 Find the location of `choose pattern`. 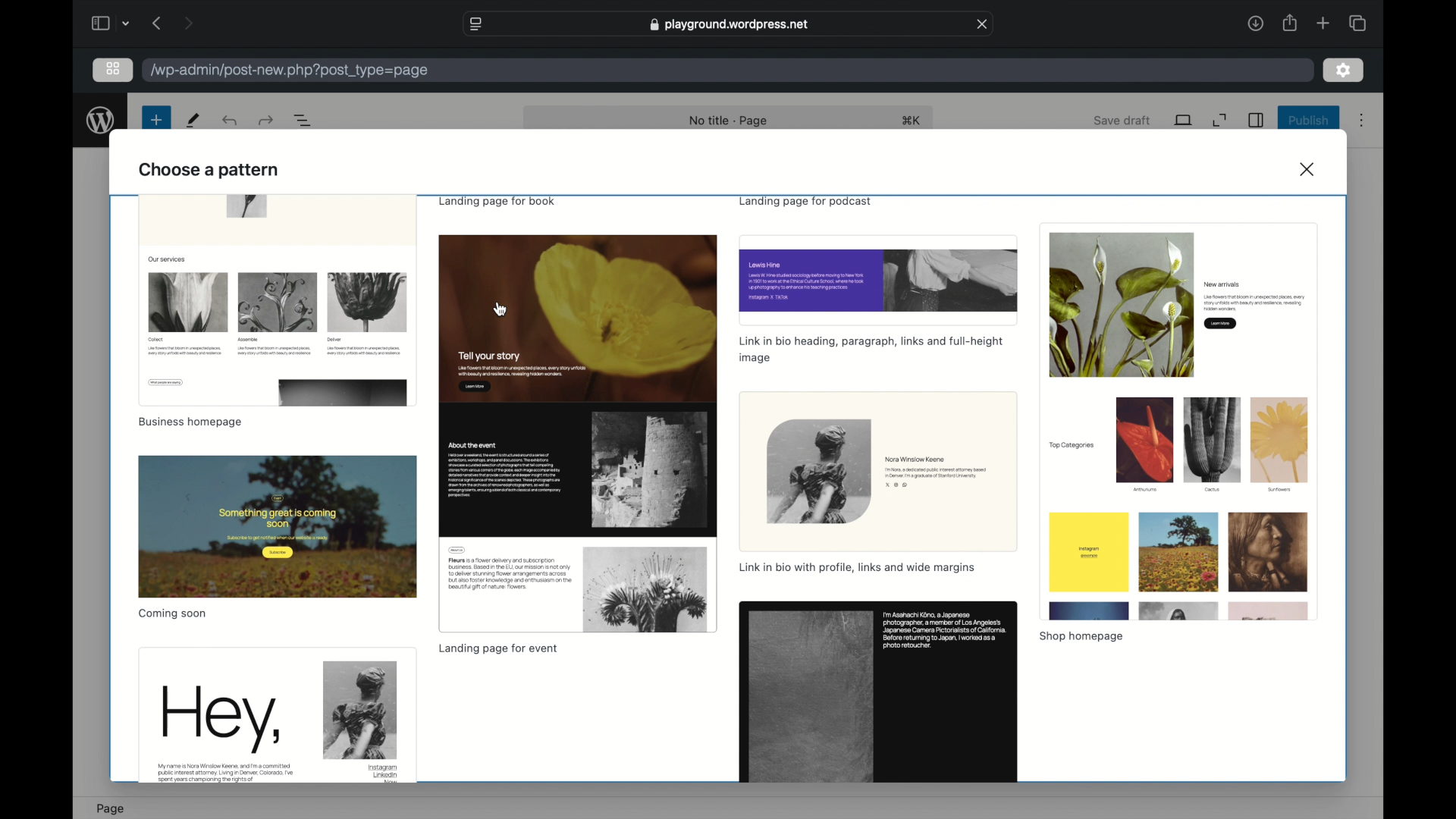

choose pattern is located at coordinates (209, 170).